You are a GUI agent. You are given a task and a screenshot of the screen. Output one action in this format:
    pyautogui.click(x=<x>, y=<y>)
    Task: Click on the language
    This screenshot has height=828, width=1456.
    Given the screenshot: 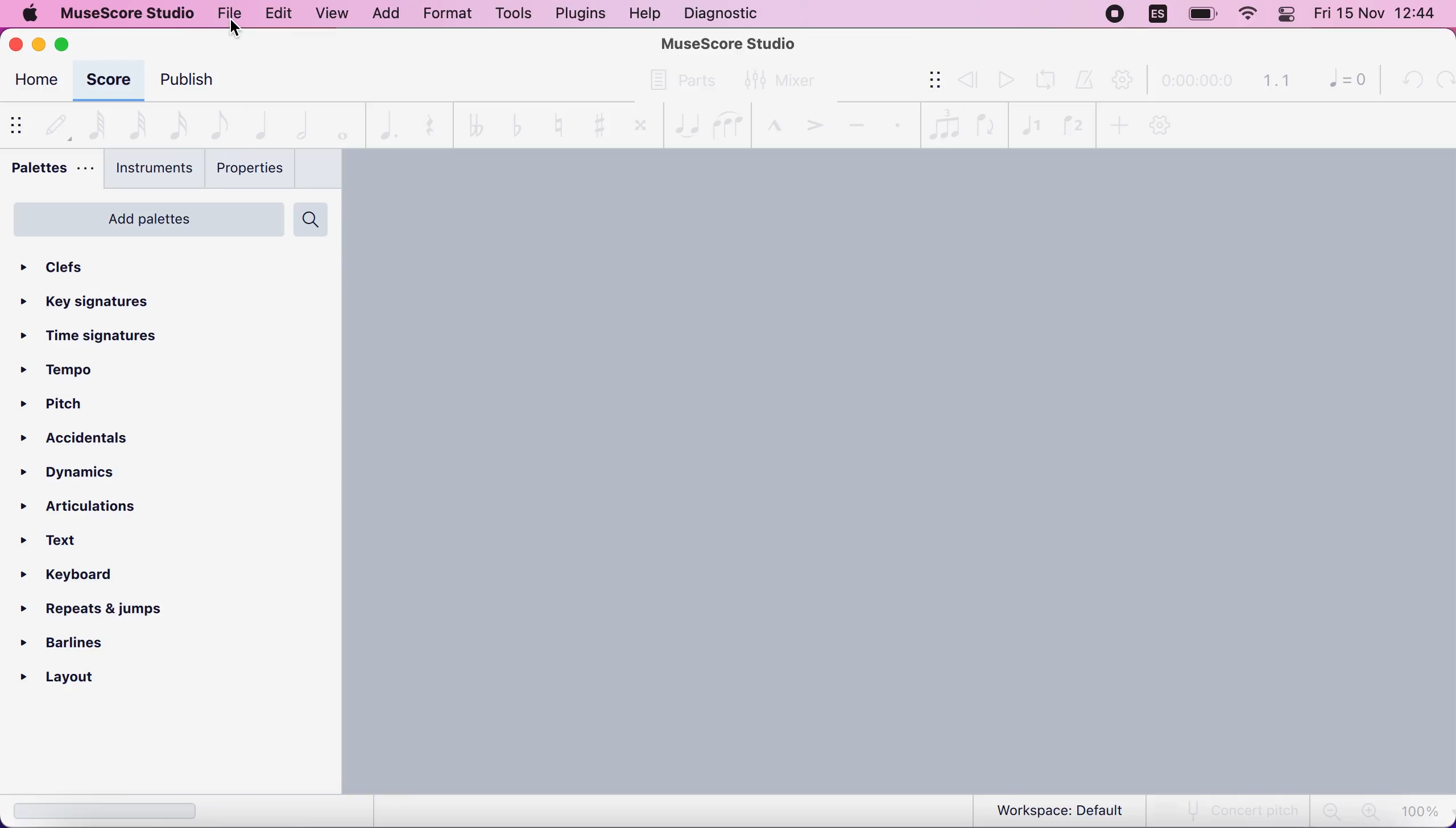 What is the action you would take?
    pyautogui.click(x=1157, y=14)
    